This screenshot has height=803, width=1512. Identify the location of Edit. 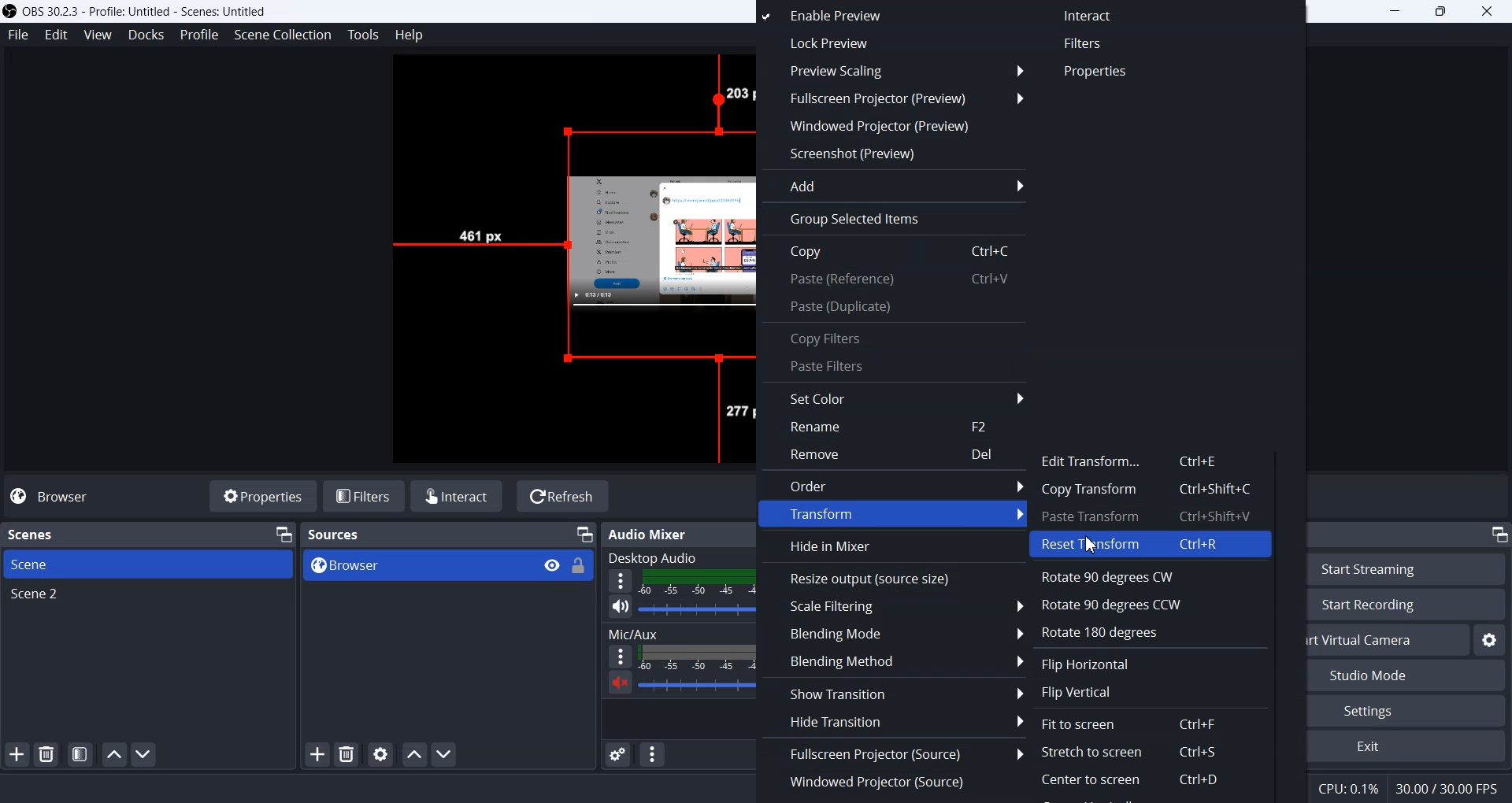
(54, 35).